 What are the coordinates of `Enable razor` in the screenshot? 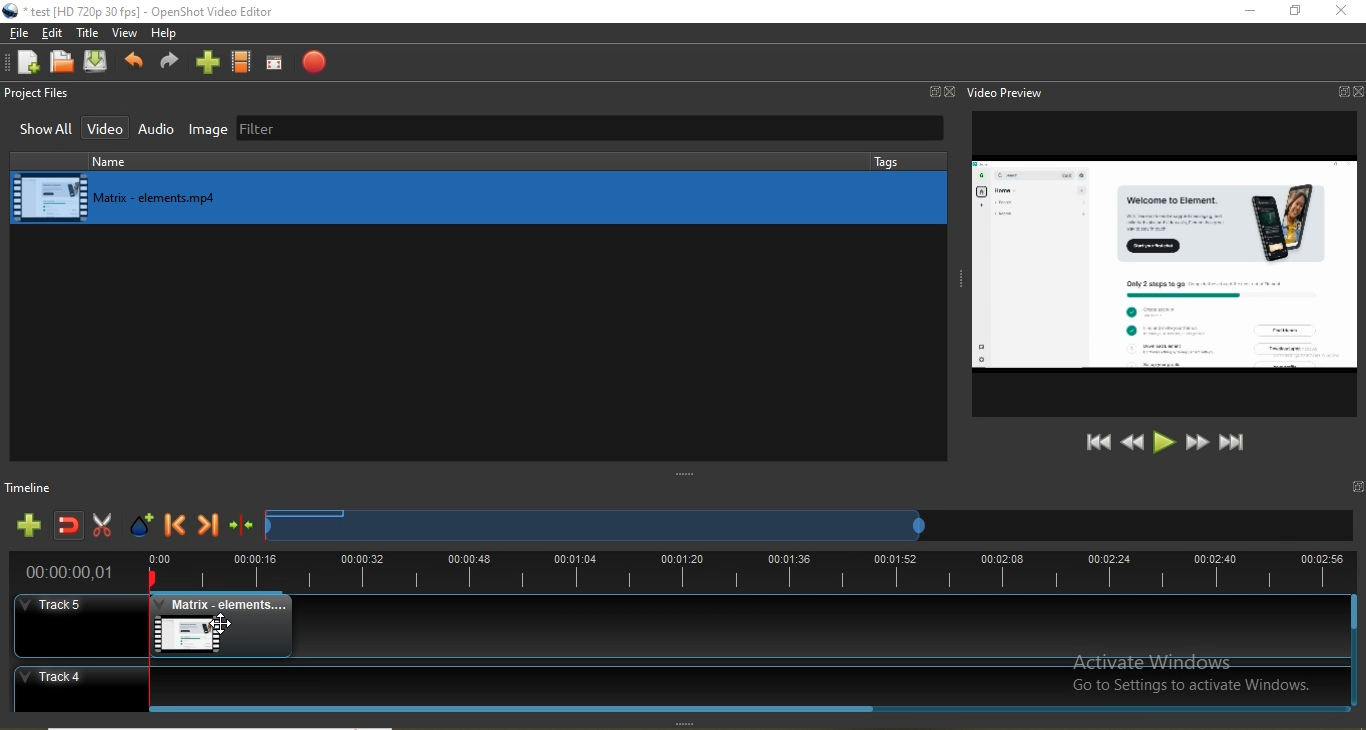 It's located at (106, 528).